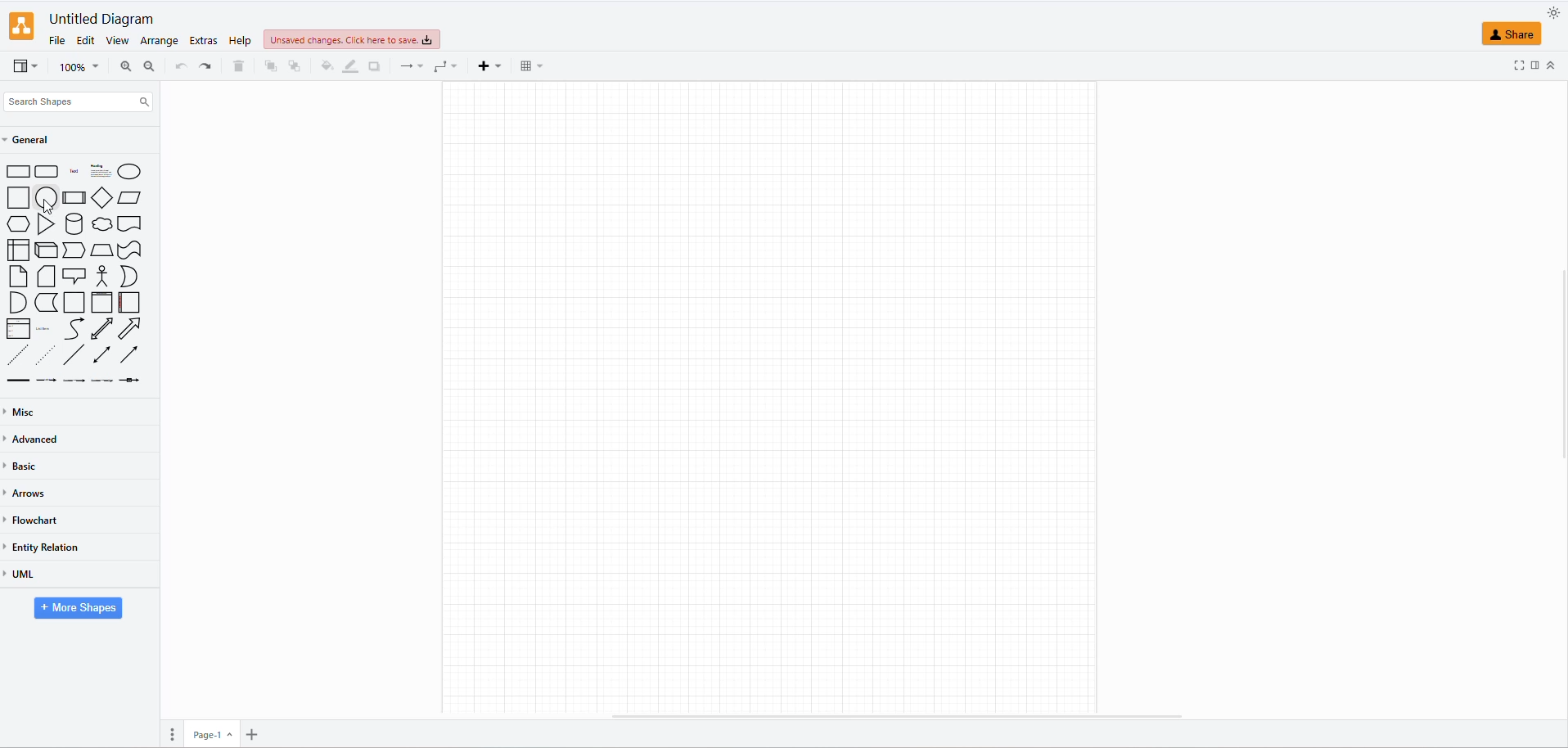 The width and height of the screenshot is (1568, 748). I want to click on CIRCLE, so click(44, 198).